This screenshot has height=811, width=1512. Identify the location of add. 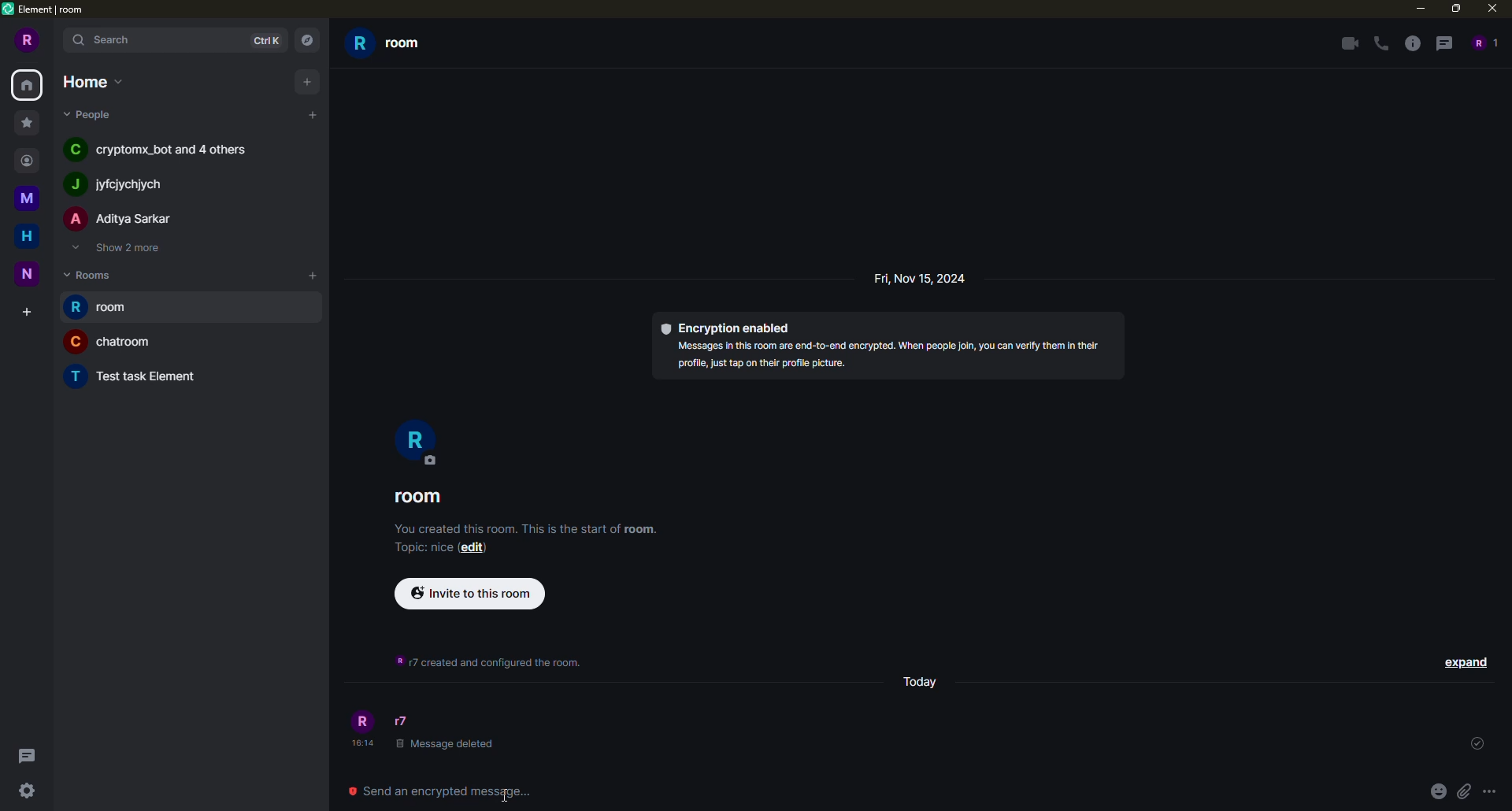
(306, 80).